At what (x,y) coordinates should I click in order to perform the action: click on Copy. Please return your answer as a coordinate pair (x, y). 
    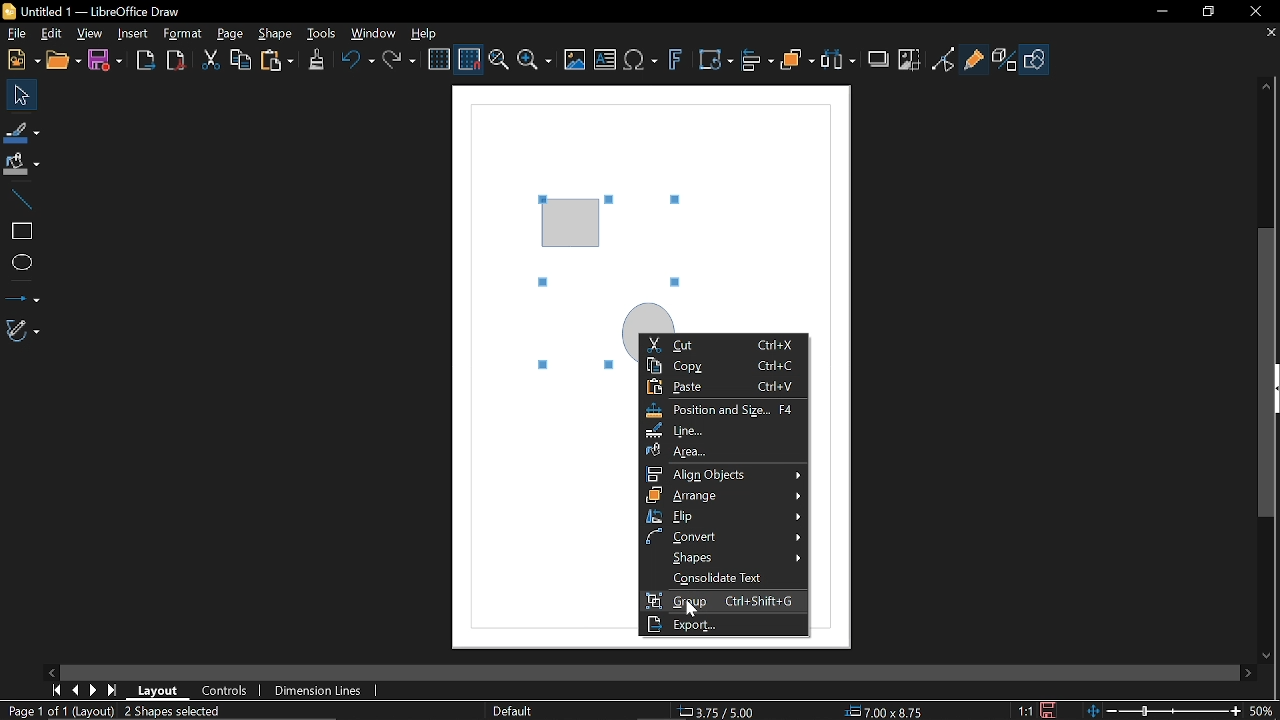
    Looking at the image, I should click on (720, 366).